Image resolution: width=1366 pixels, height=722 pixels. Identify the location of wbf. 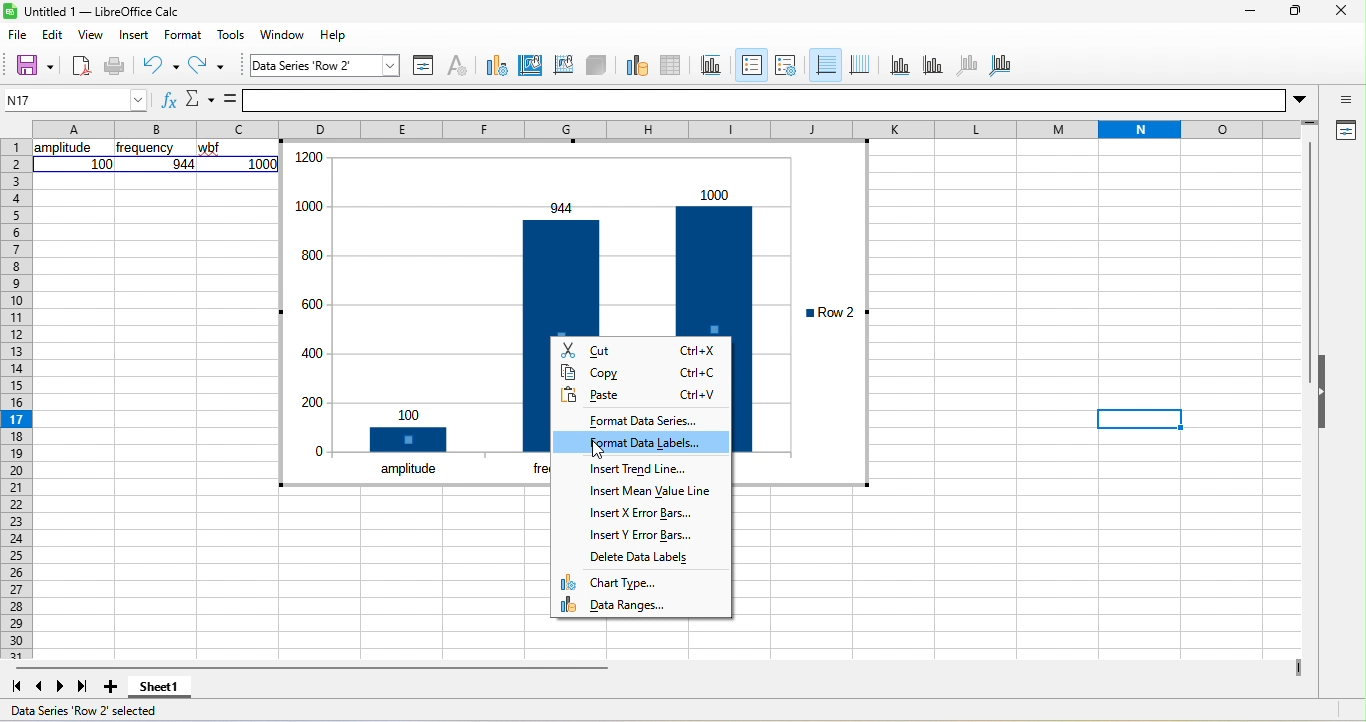
(214, 149).